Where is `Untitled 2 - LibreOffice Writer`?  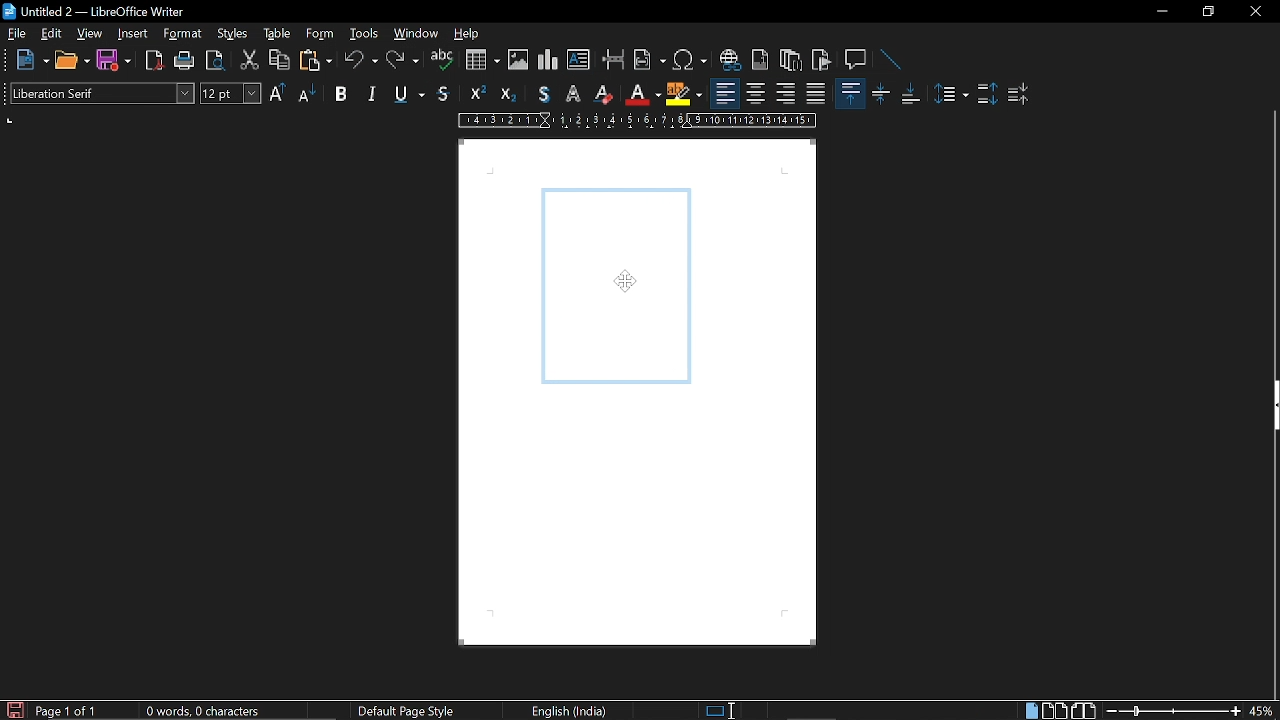
Untitled 2 - LibreOffice Writer is located at coordinates (100, 13).